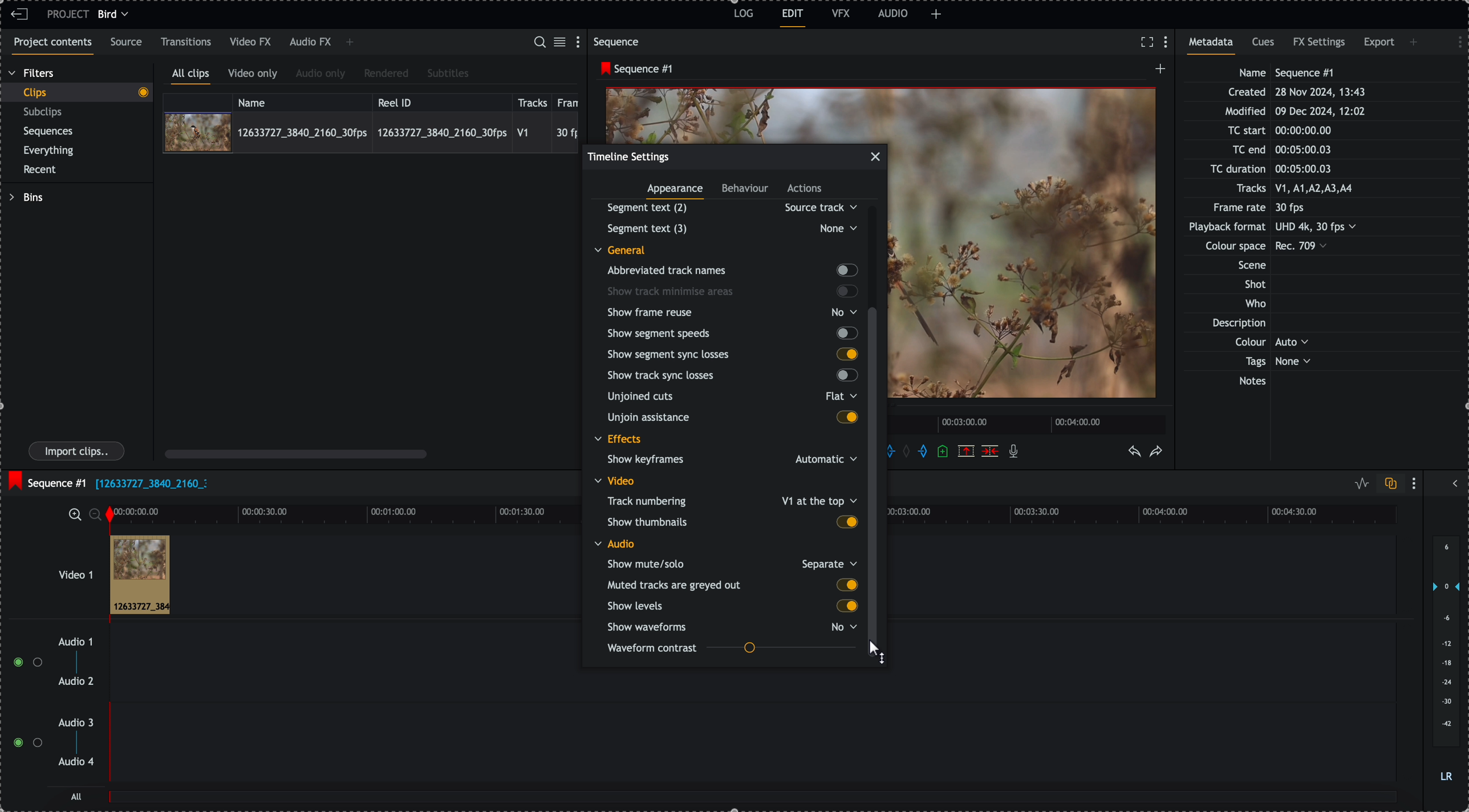  Describe the element at coordinates (731, 333) in the screenshot. I see `show segment speeds` at that location.